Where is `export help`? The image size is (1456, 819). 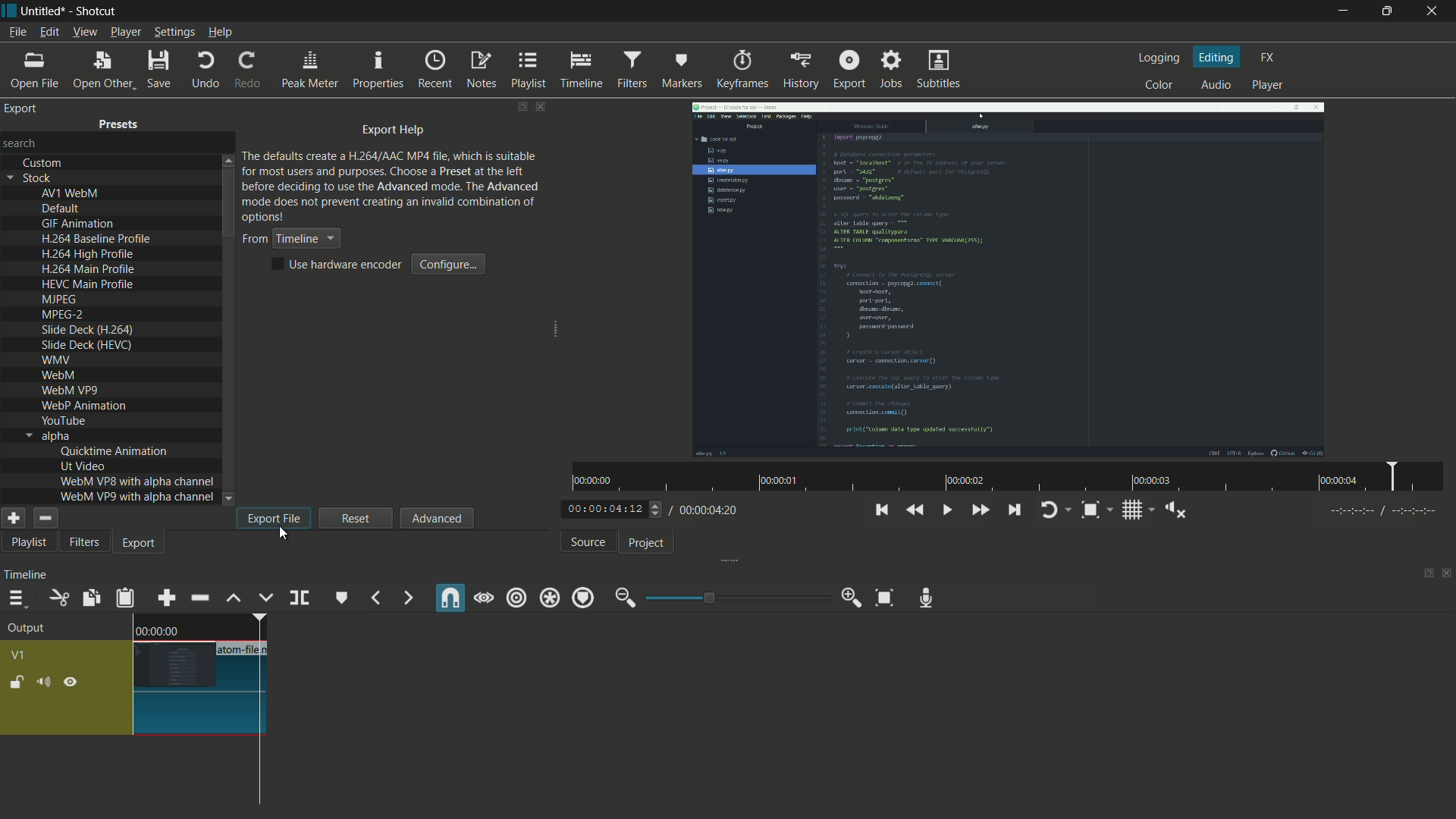
export help is located at coordinates (394, 131).